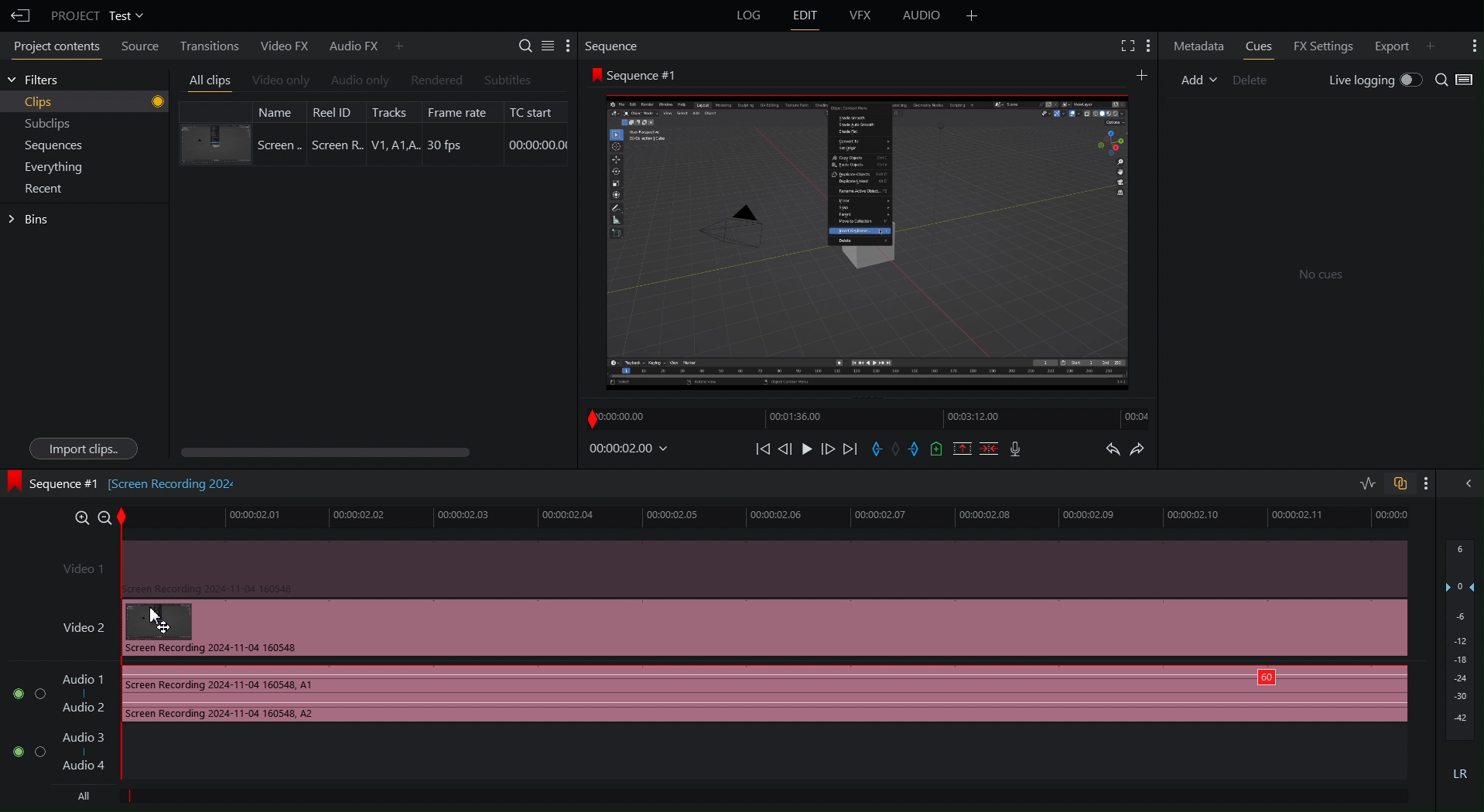 This screenshot has height=812, width=1484. What do you see at coordinates (723, 628) in the screenshot?
I see `Video Track 1 Disabled` at bounding box center [723, 628].